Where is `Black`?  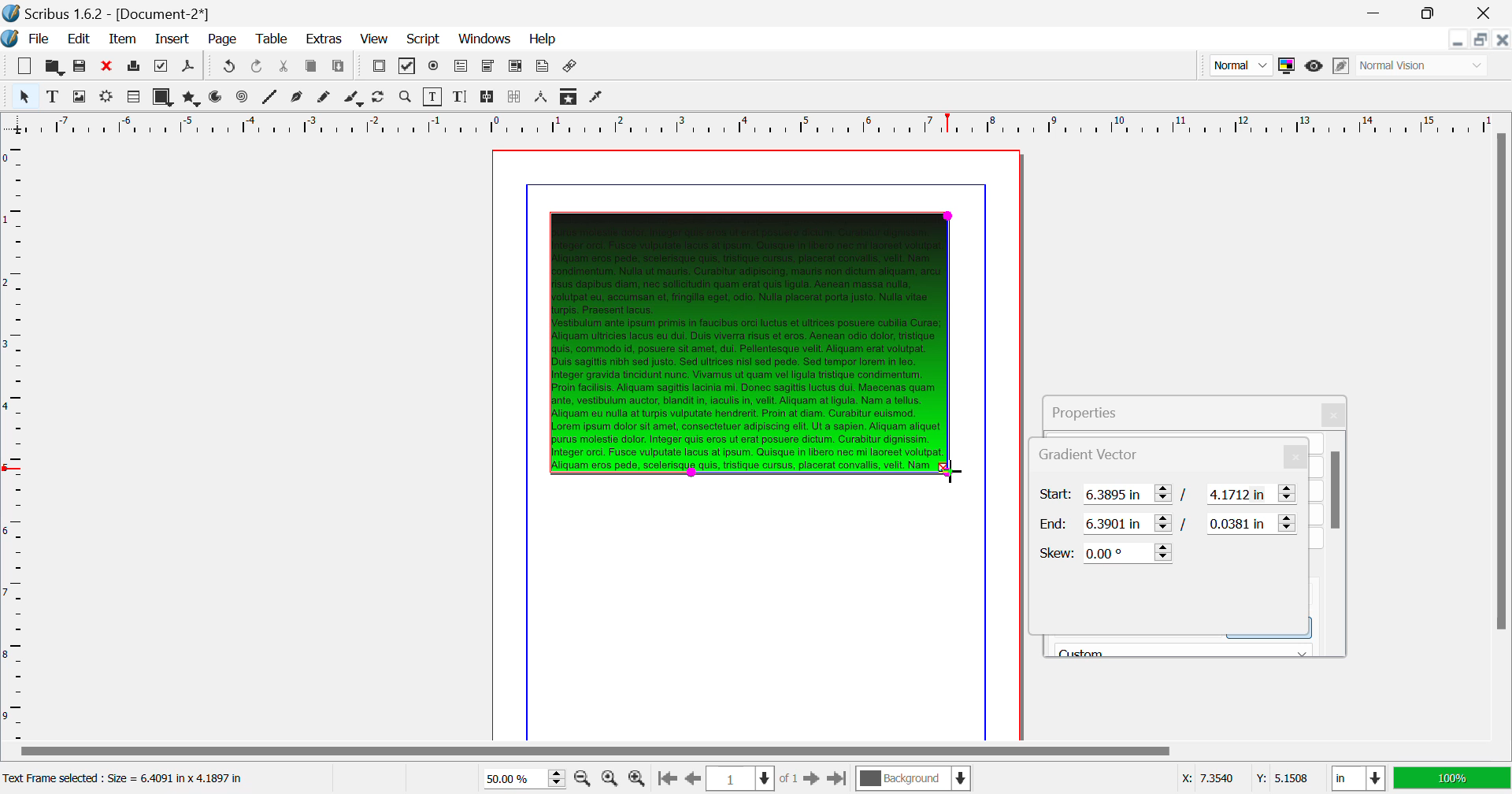 Black is located at coordinates (1184, 647).